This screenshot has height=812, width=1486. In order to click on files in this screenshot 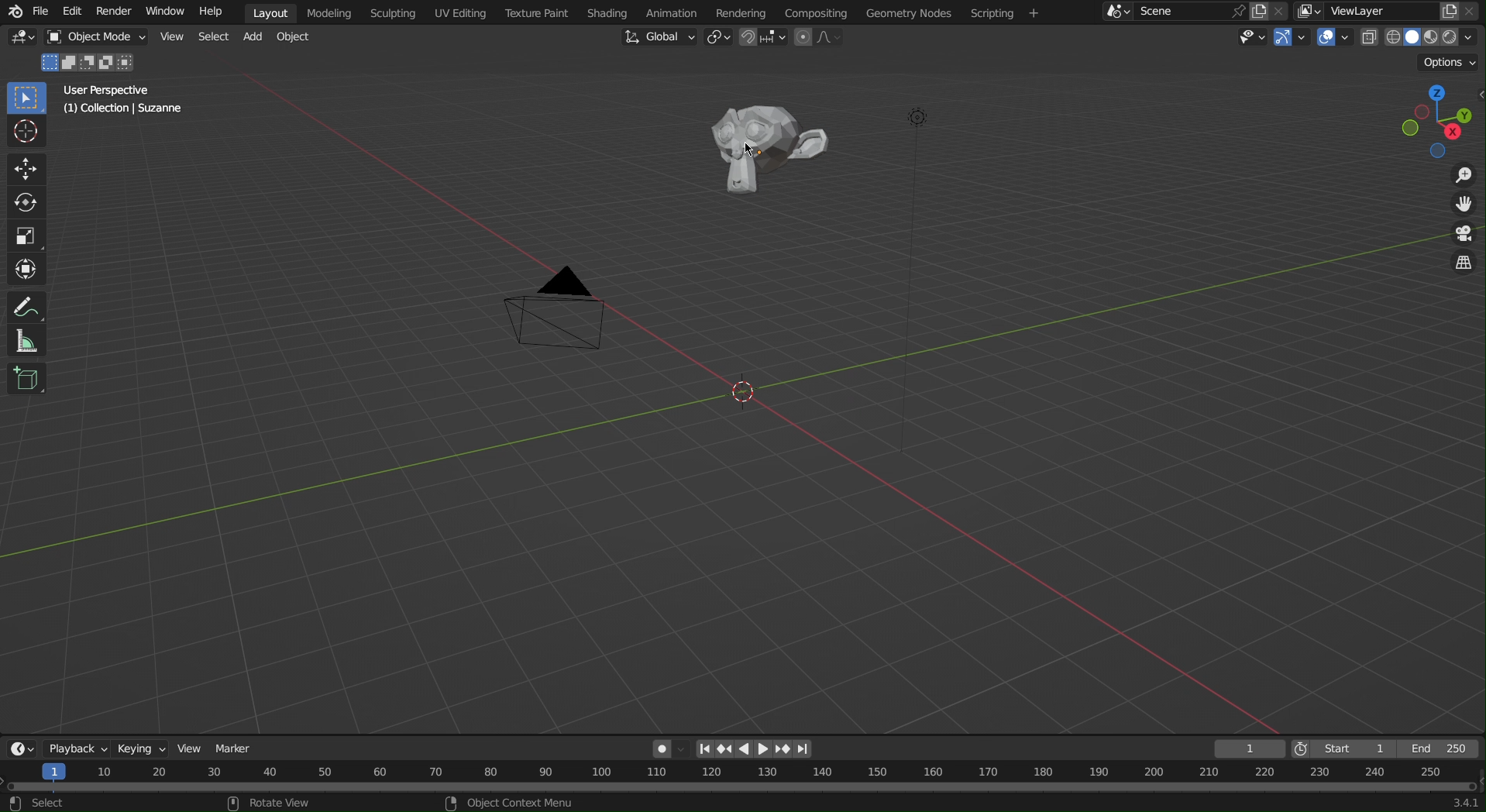, I will do `click(1259, 12)`.